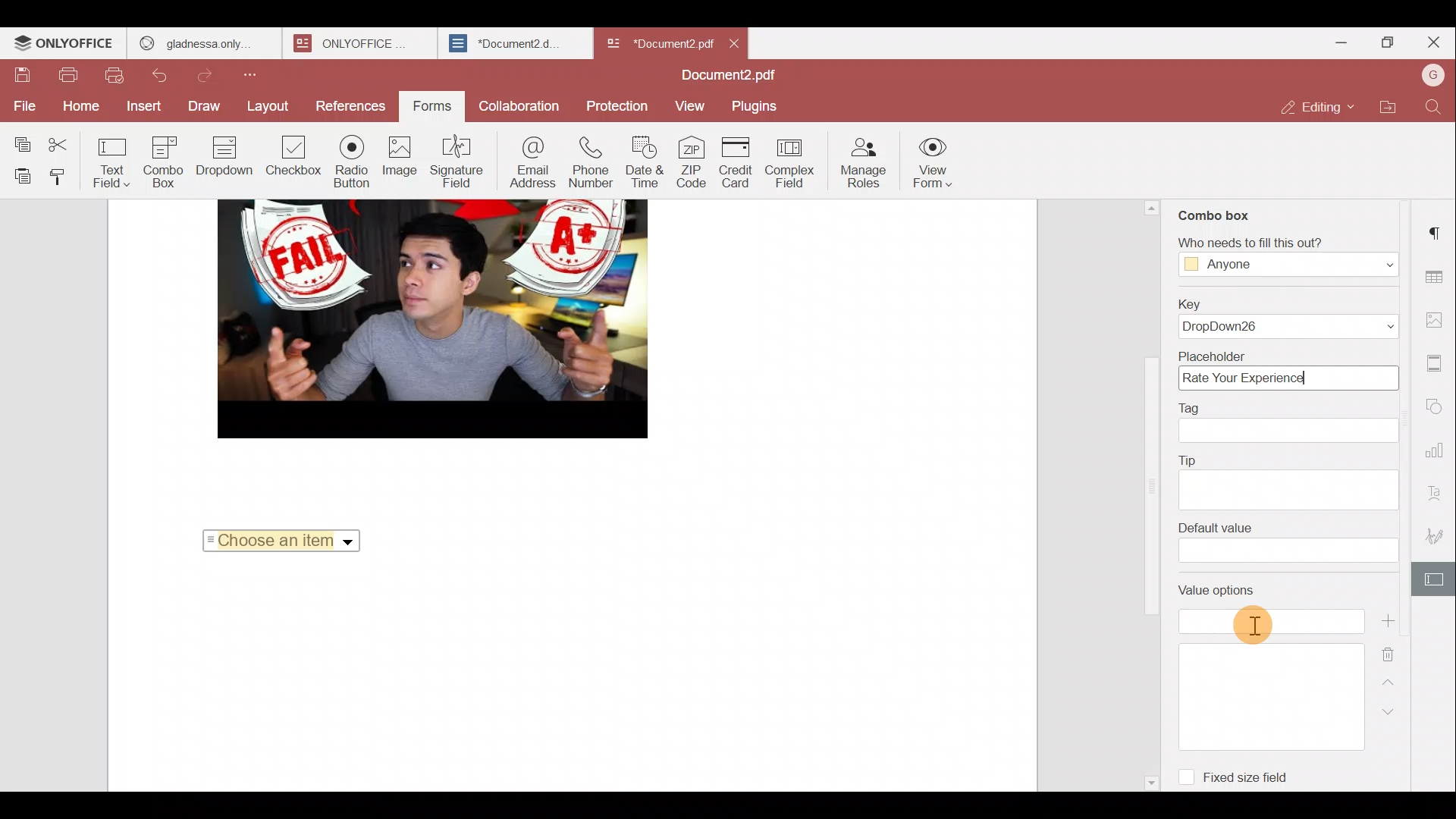  What do you see at coordinates (1391, 621) in the screenshot?
I see `Add value` at bounding box center [1391, 621].